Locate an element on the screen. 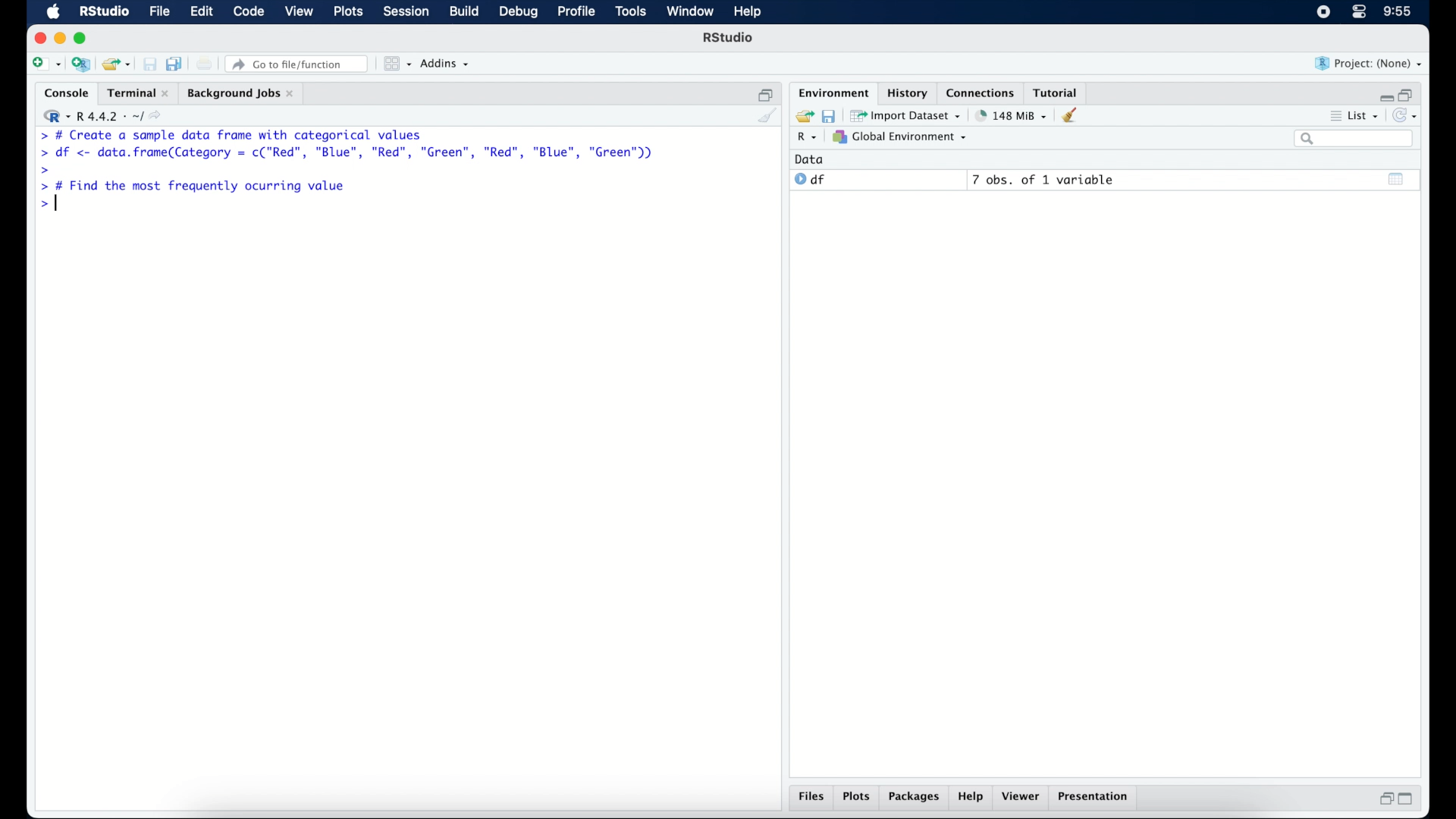  debug is located at coordinates (517, 13).